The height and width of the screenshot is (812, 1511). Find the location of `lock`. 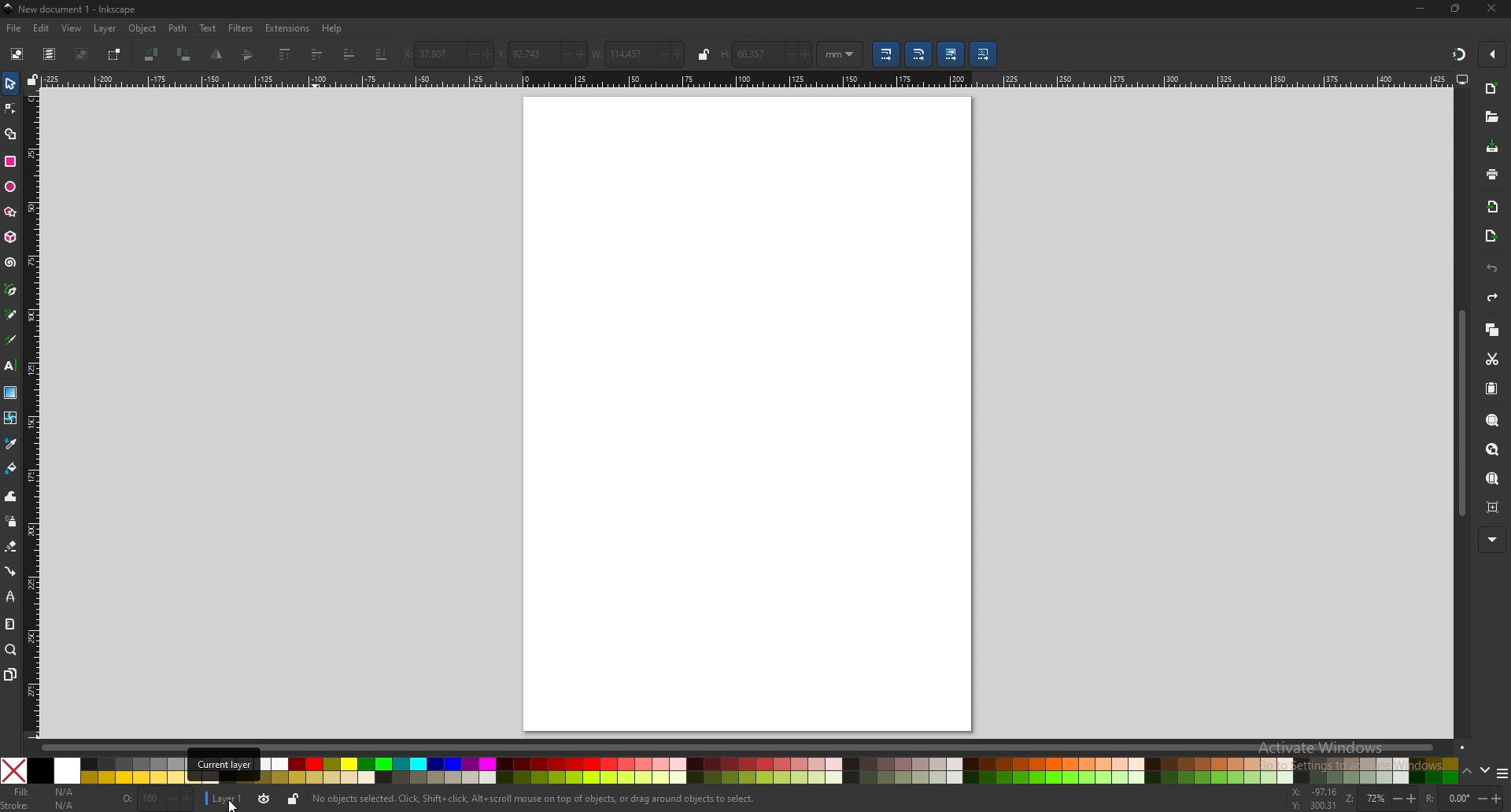

lock is located at coordinates (293, 799).